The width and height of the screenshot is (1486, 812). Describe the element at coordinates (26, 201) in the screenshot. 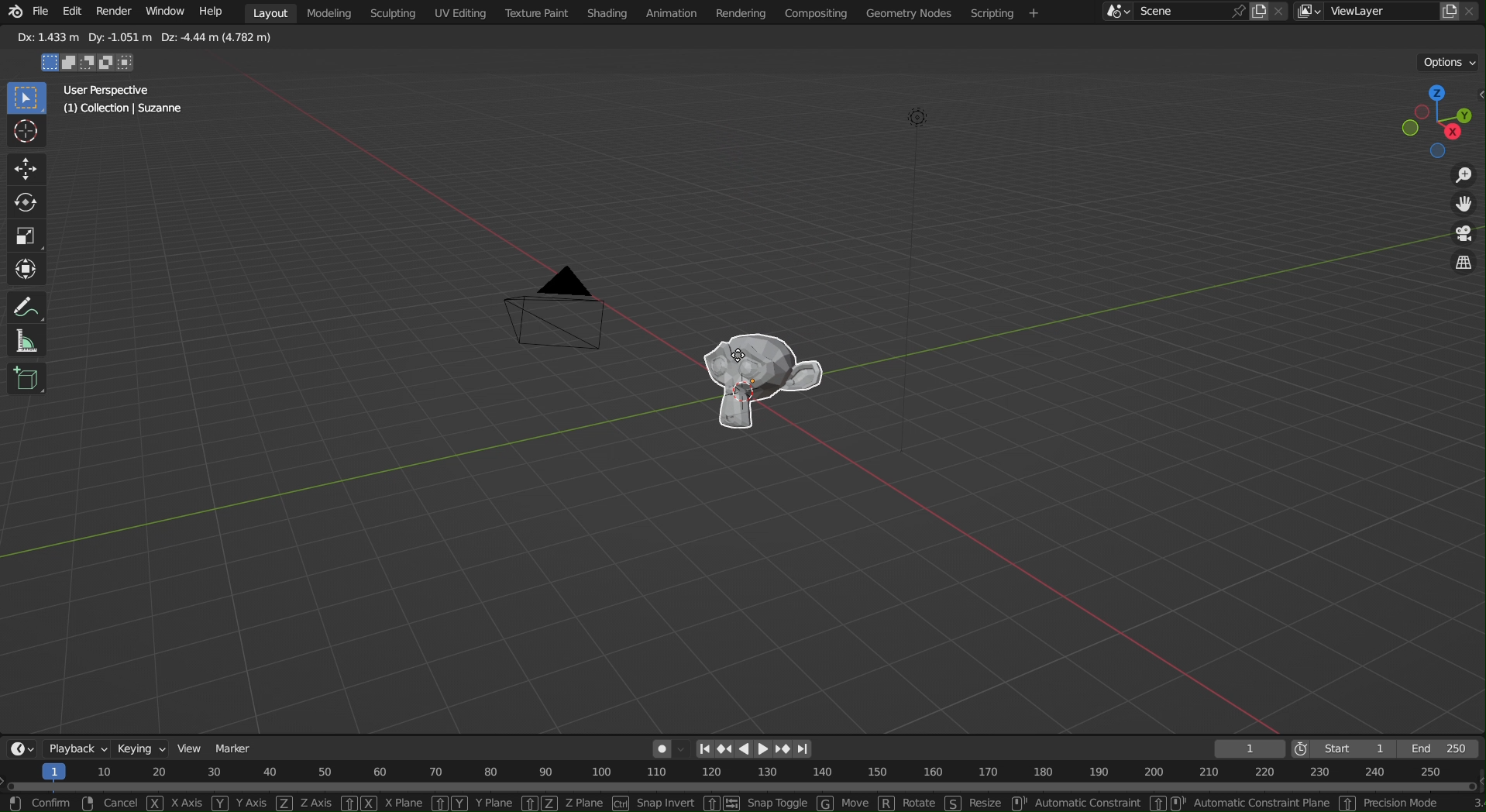

I see `Rotate` at that location.